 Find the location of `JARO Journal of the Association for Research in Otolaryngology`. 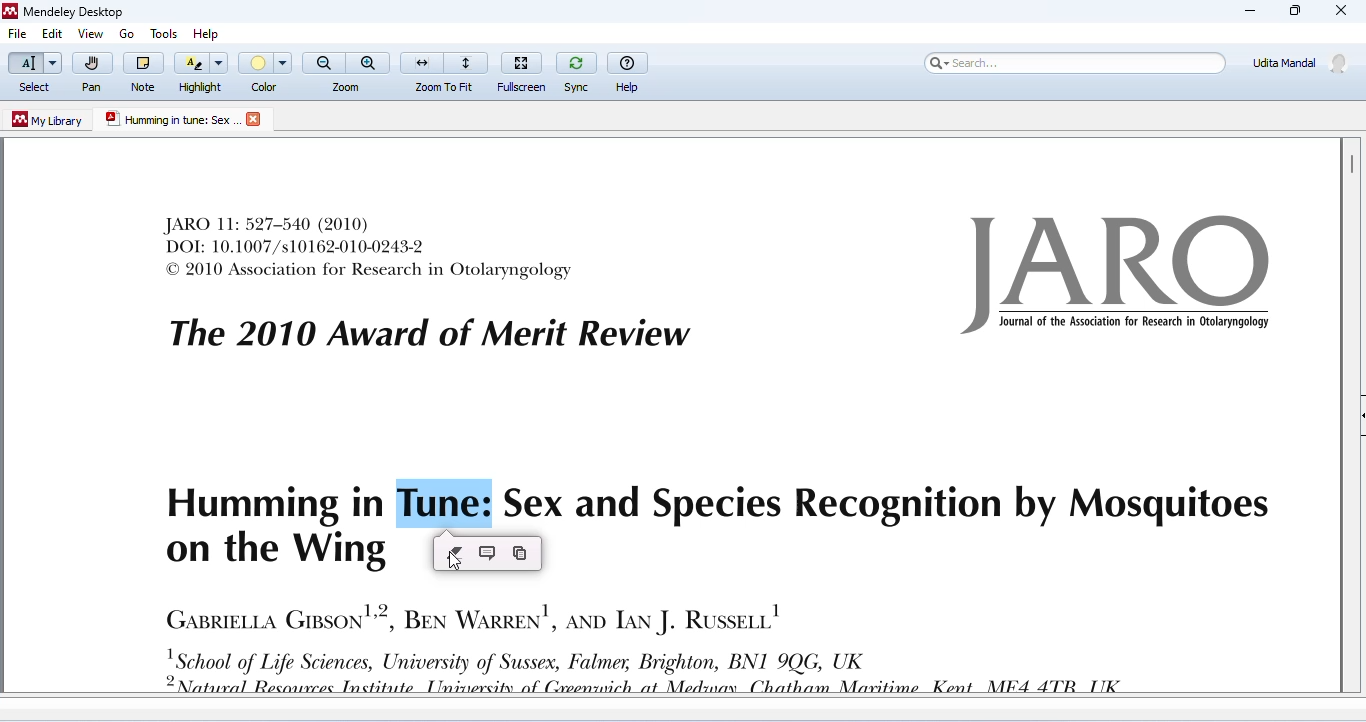

JARO Journal of the Association for Research in Otolaryngology is located at coordinates (1122, 275).